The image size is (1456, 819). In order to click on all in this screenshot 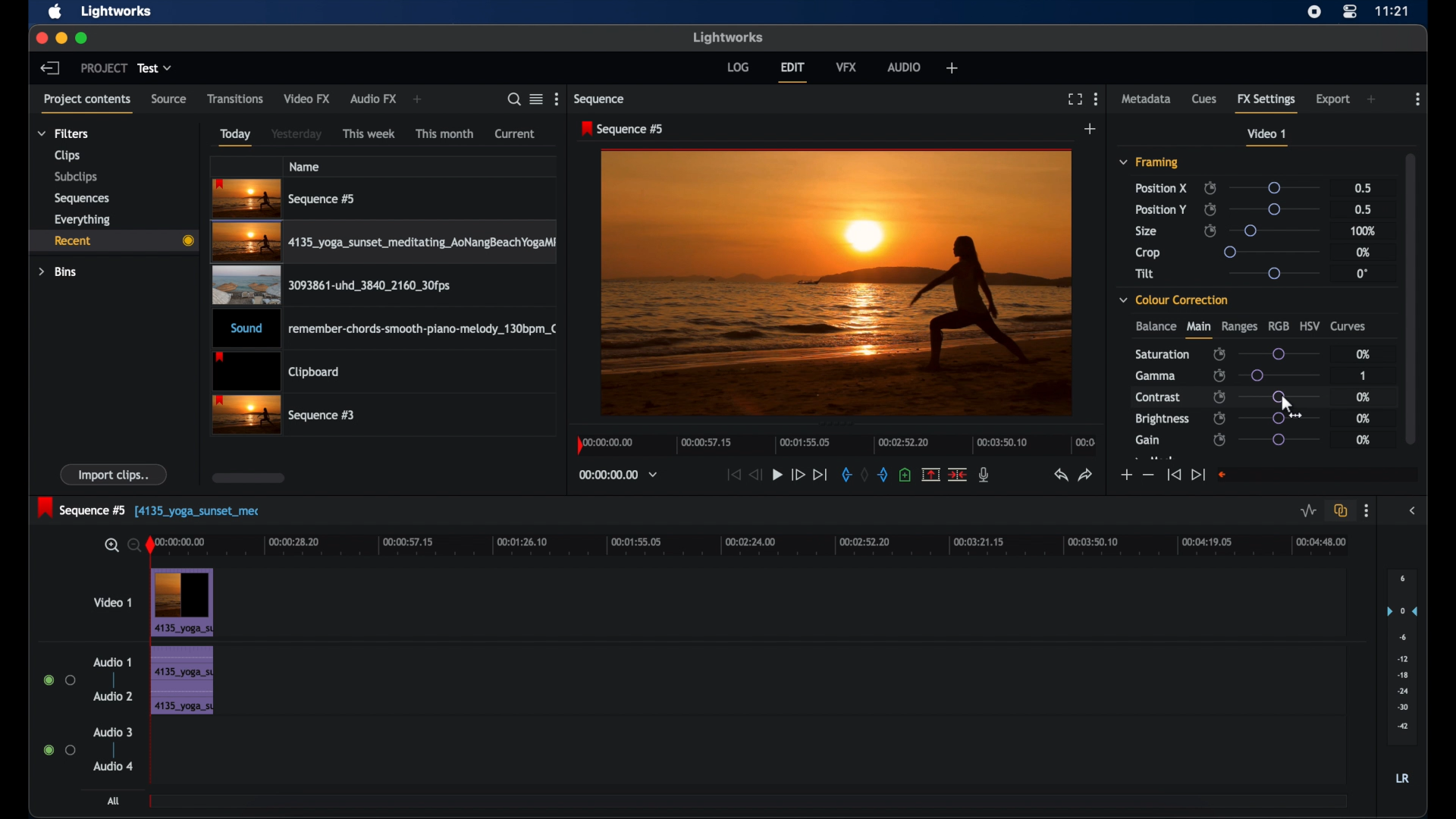, I will do `click(115, 801)`.